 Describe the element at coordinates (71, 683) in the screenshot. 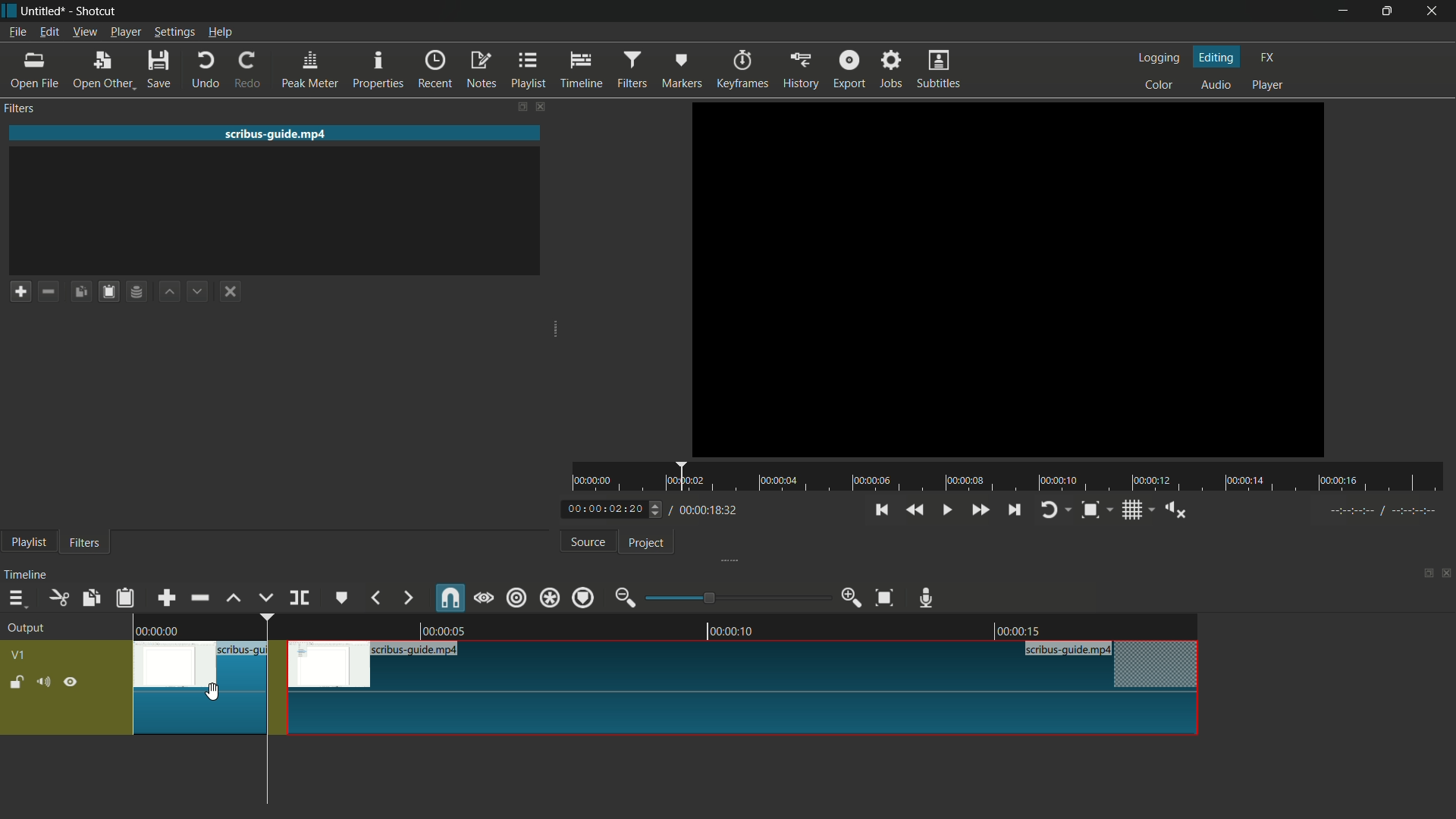

I see `hide` at that location.